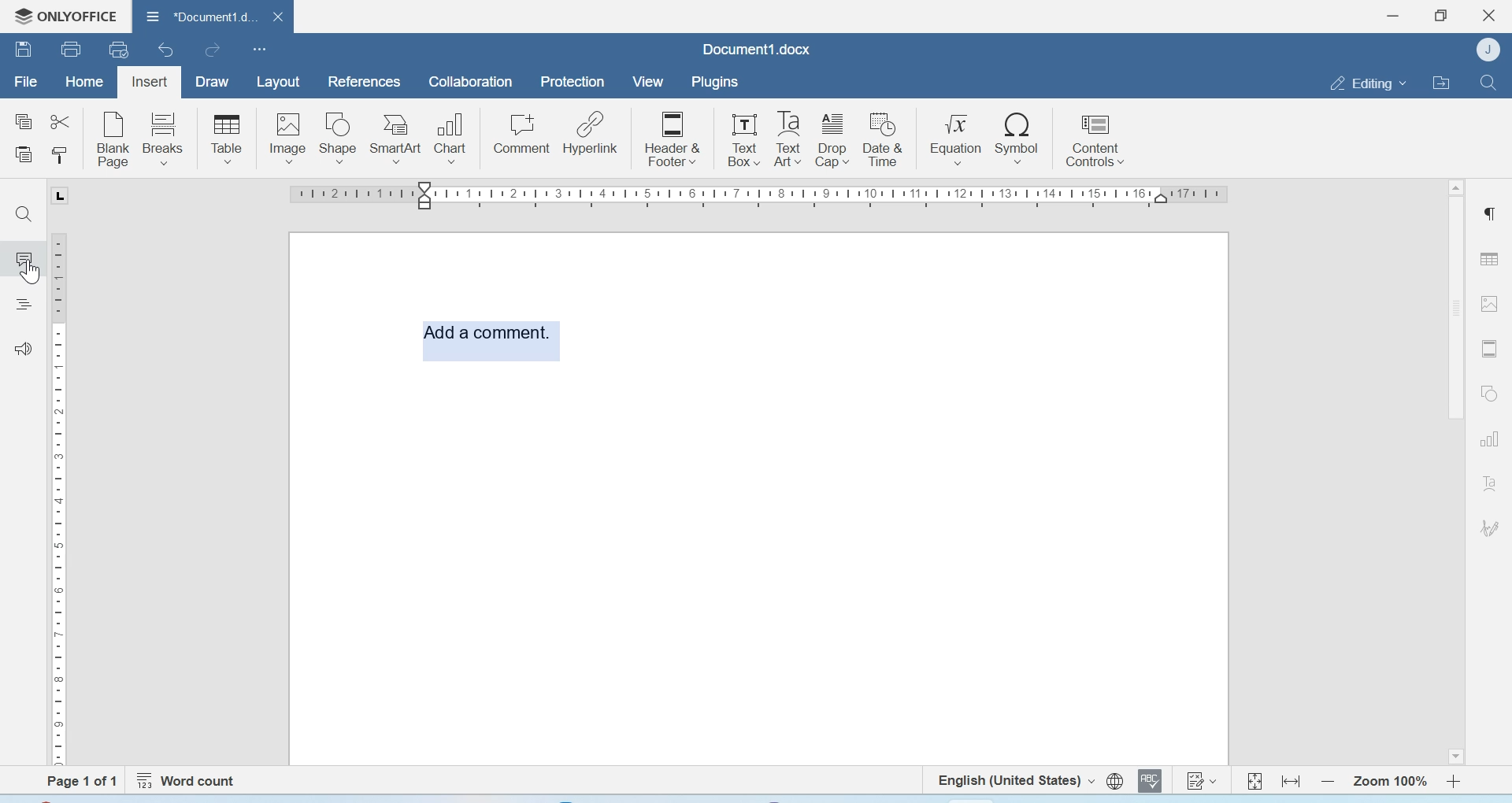 The height and width of the screenshot is (803, 1512). I want to click on Set text language, so click(1014, 779).